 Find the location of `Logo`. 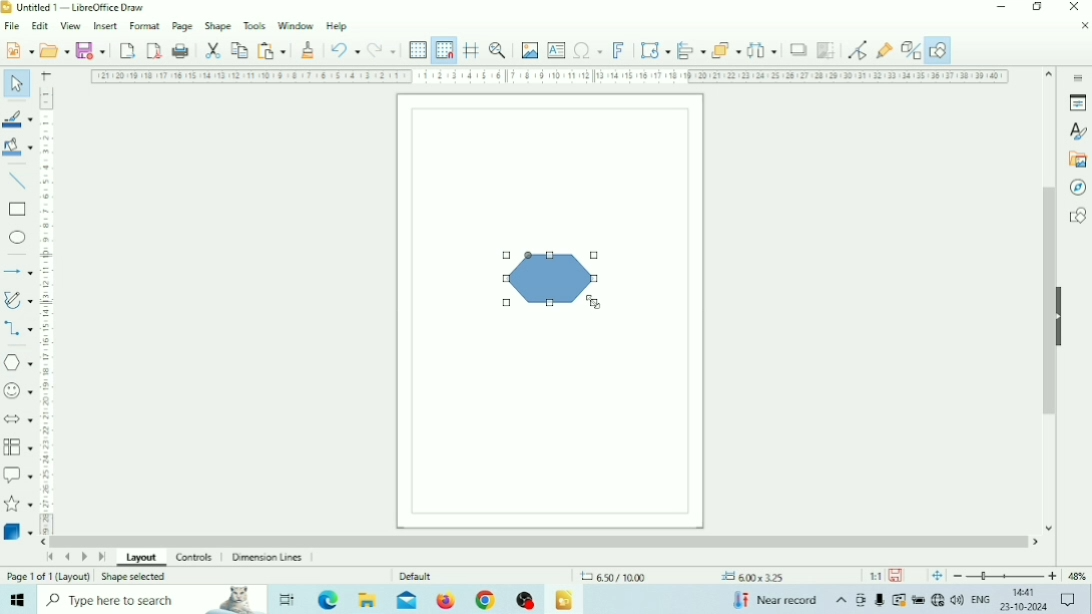

Logo is located at coordinates (7, 8).